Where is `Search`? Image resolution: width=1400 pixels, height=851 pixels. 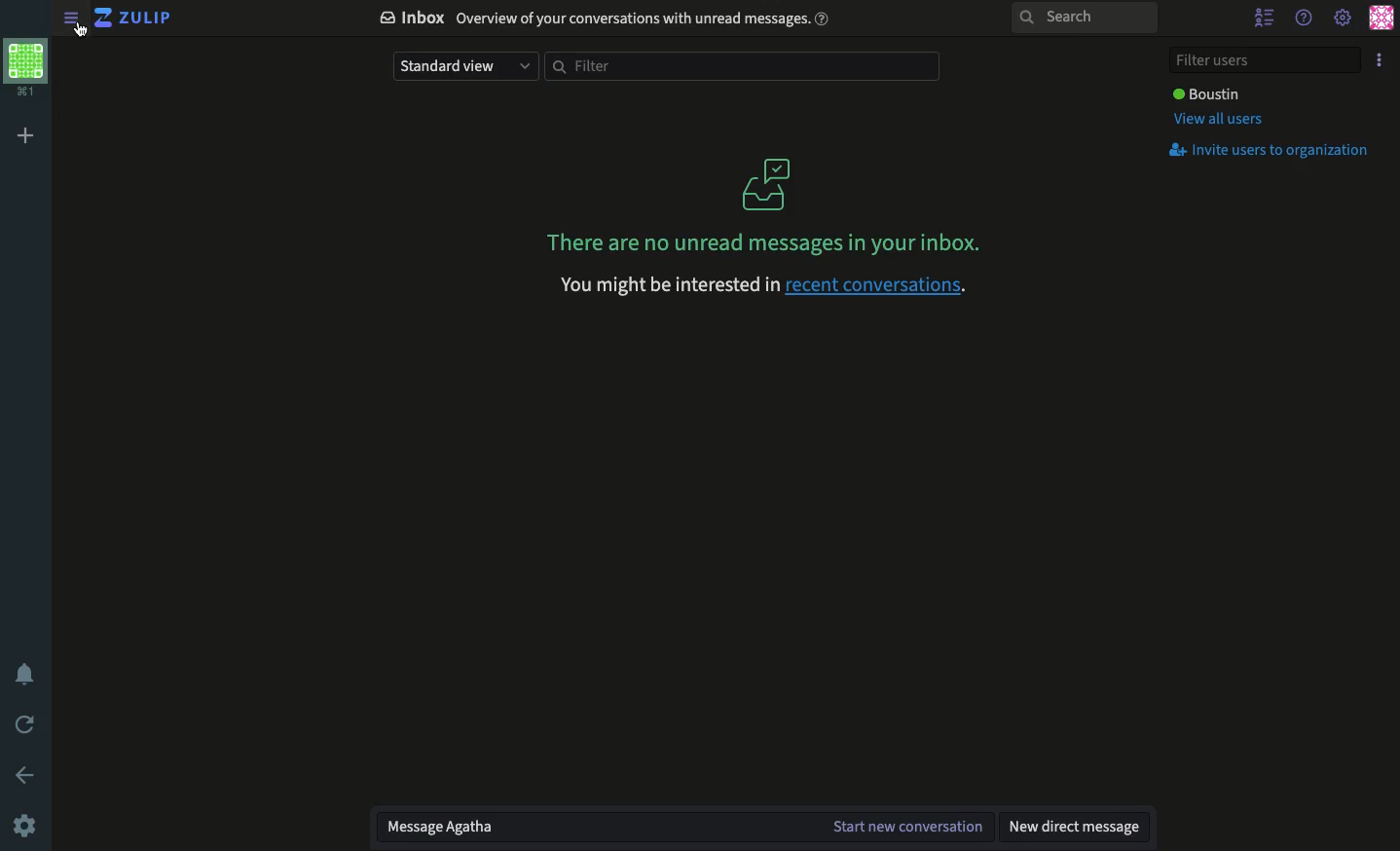
Search is located at coordinates (1085, 16).